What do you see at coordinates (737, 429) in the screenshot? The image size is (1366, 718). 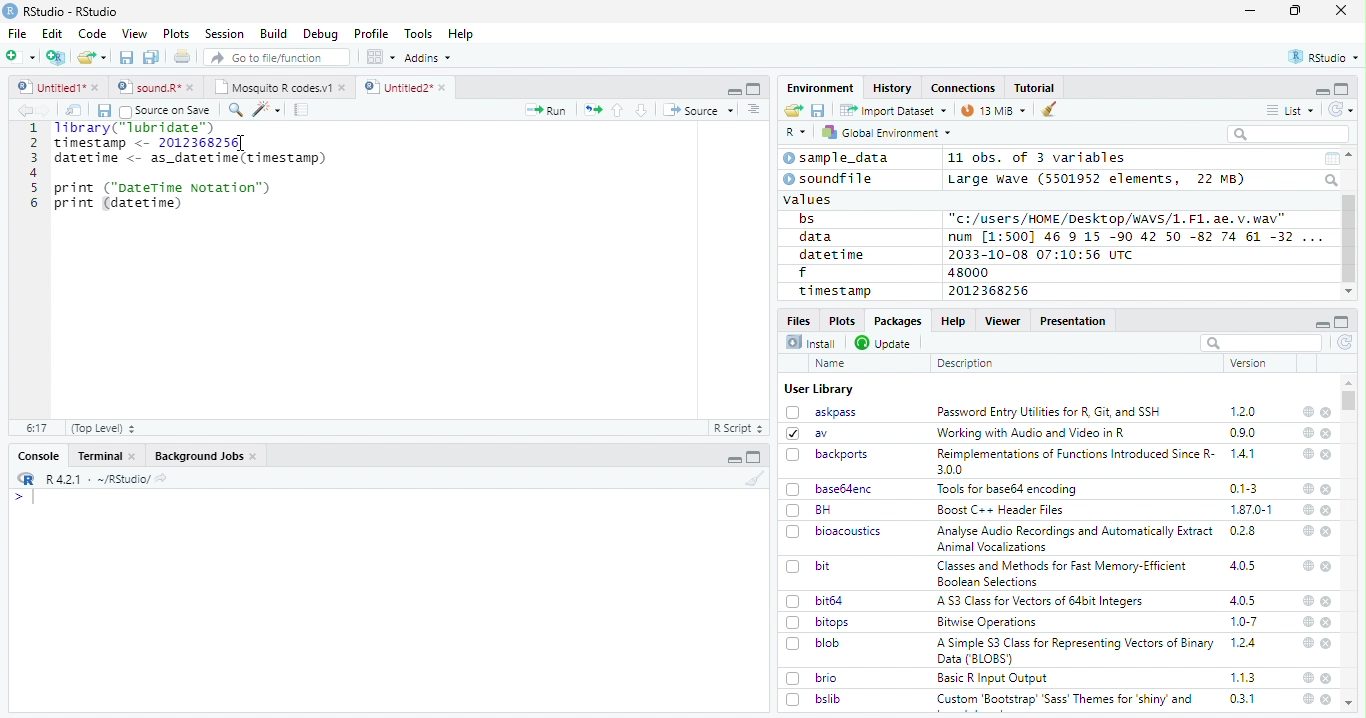 I see `R Script` at bounding box center [737, 429].